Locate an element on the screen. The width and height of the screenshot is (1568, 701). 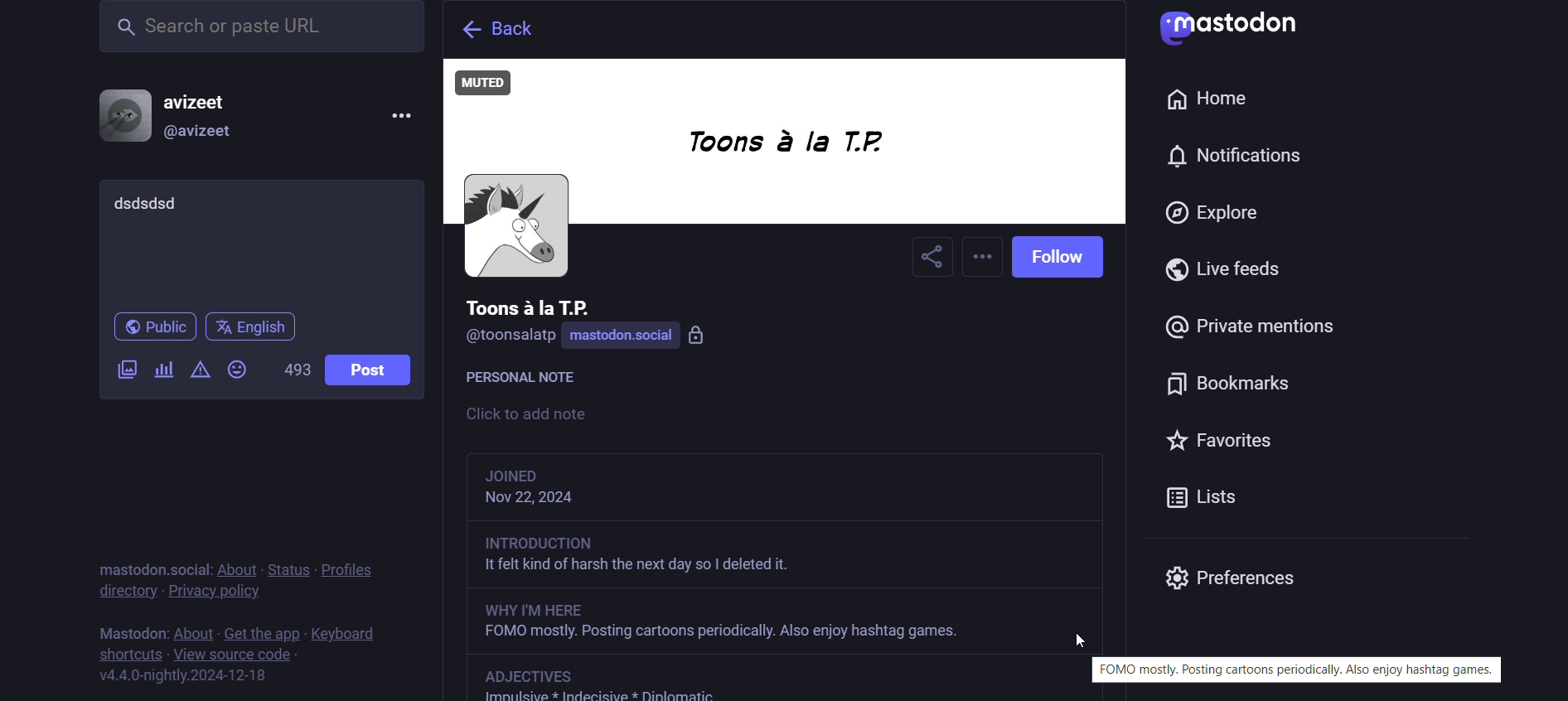
add emoji is located at coordinates (240, 369).